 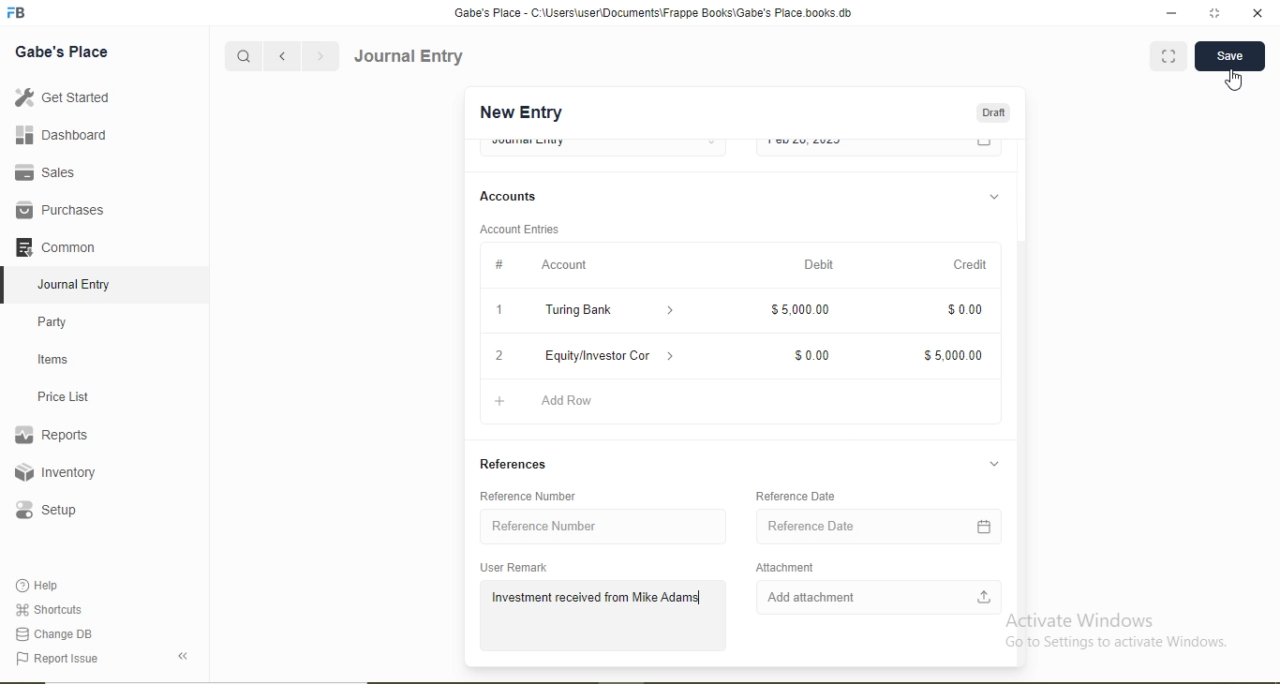 I want to click on Backward, so click(x=282, y=57).